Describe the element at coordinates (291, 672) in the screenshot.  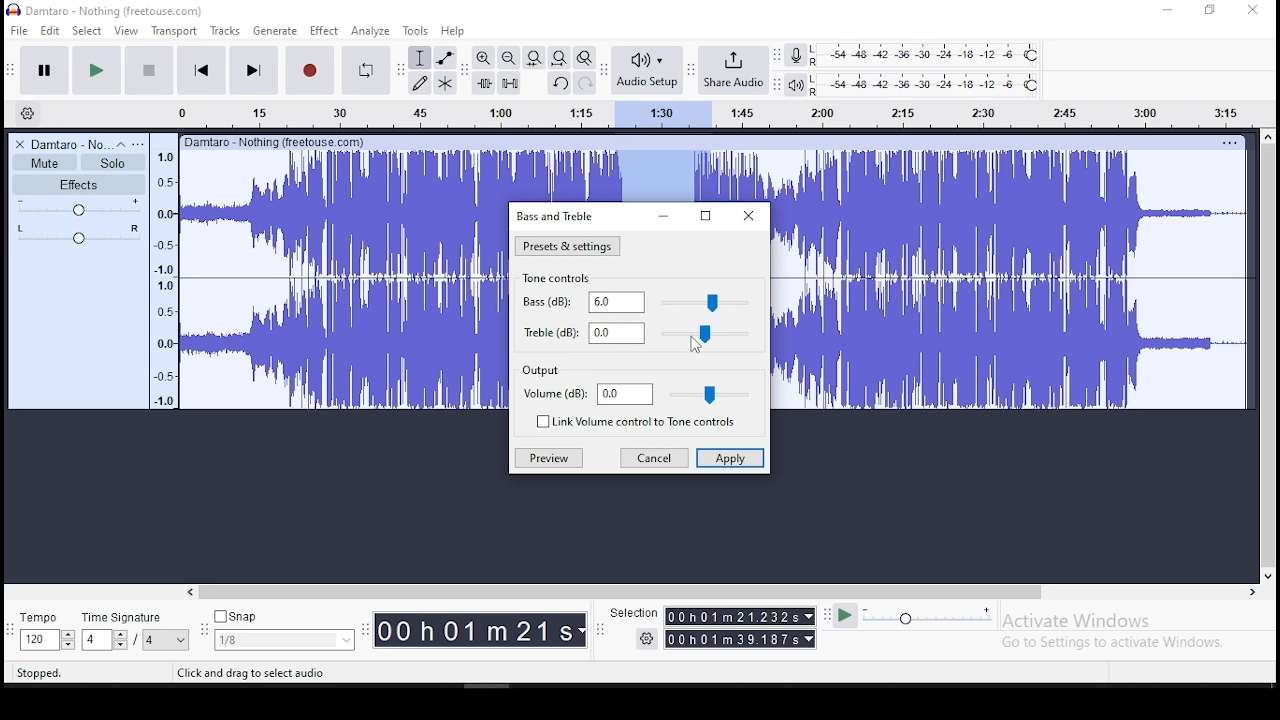
I see `Click and drag to select audio (Esc to cancel)` at that location.